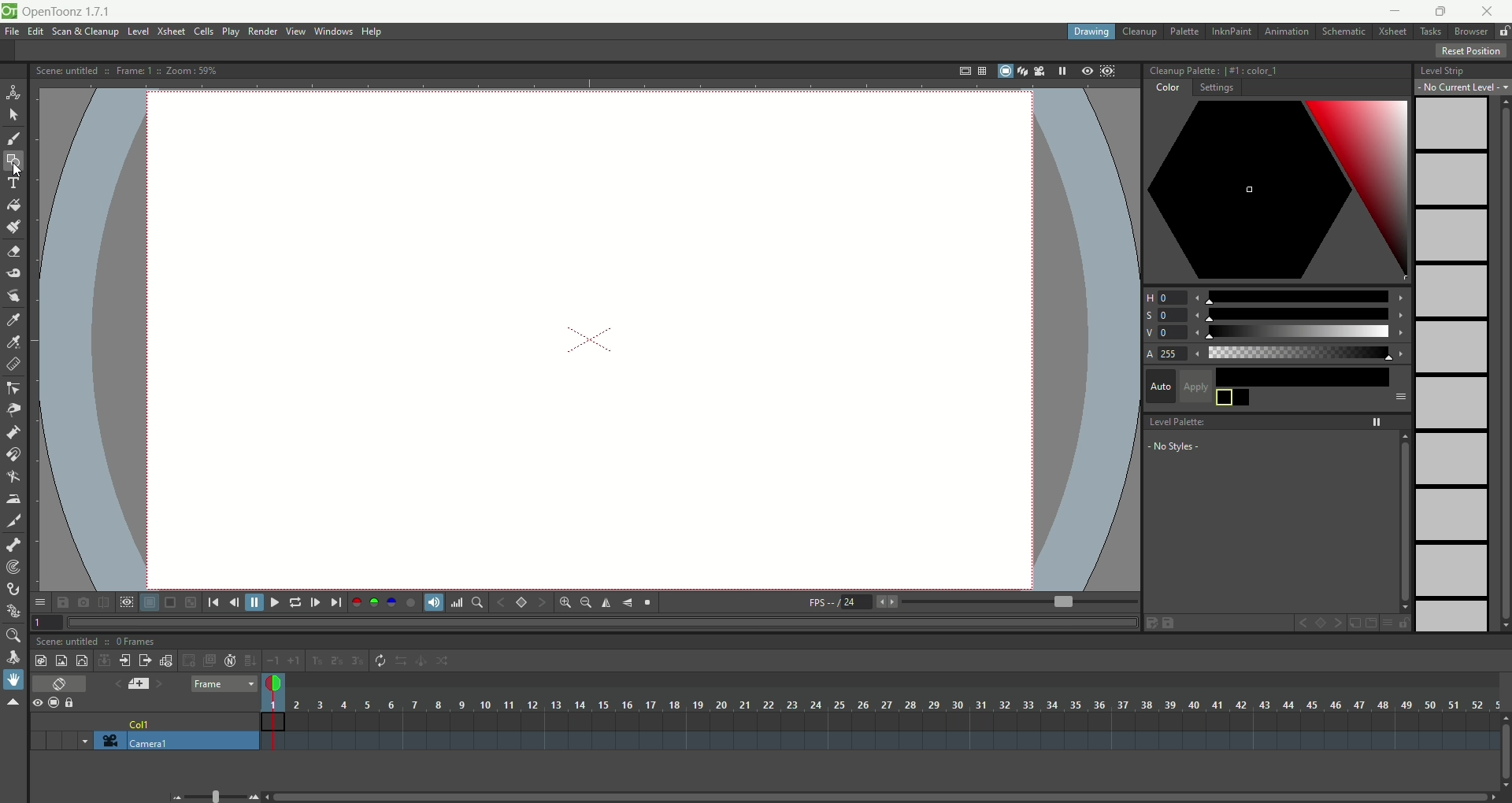 This screenshot has height=803, width=1512. What do you see at coordinates (565, 602) in the screenshot?
I see `zoom in` at bounding box center [565, 602].